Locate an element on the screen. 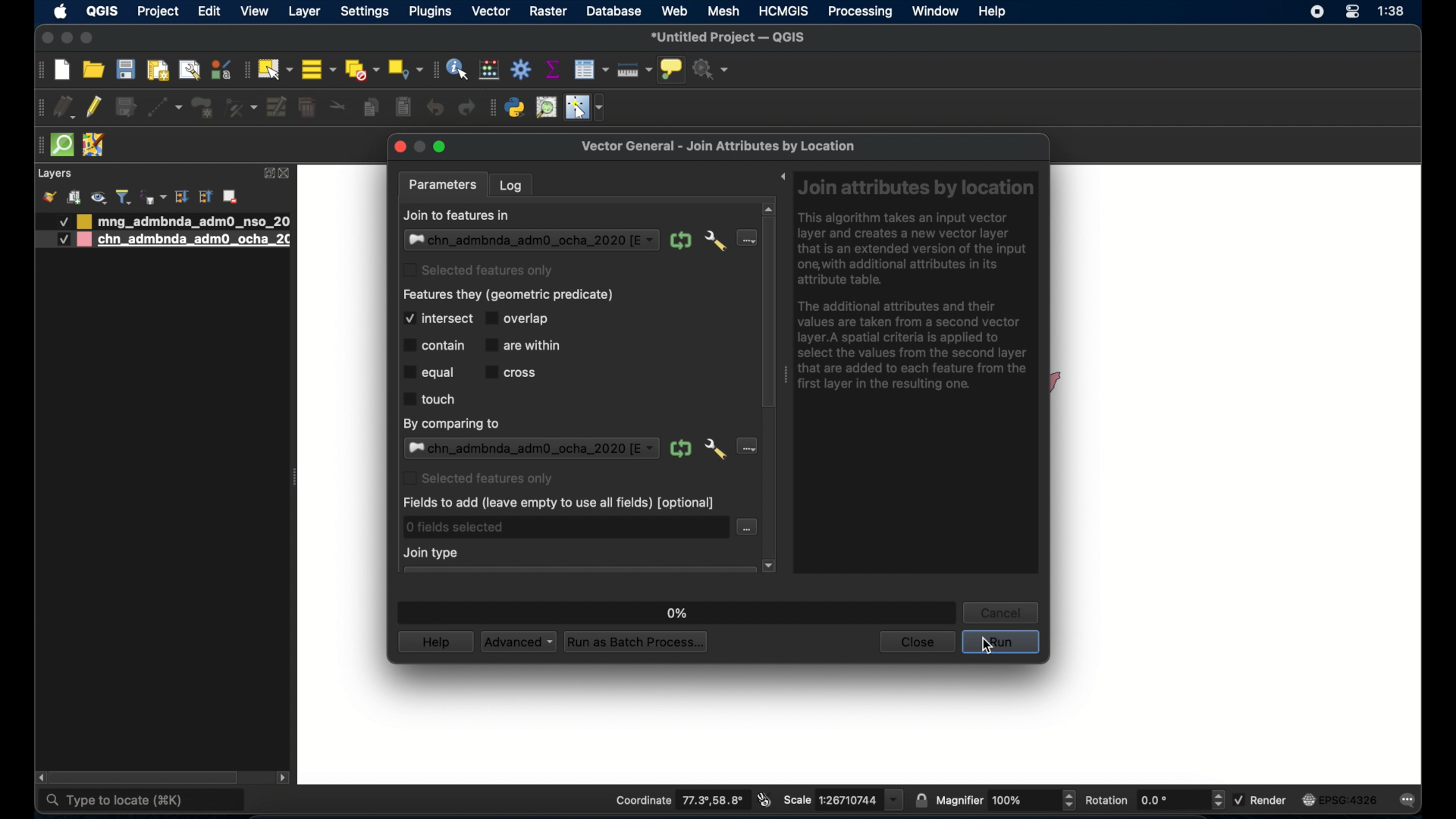  select by location is located at coordinates (404, 70).